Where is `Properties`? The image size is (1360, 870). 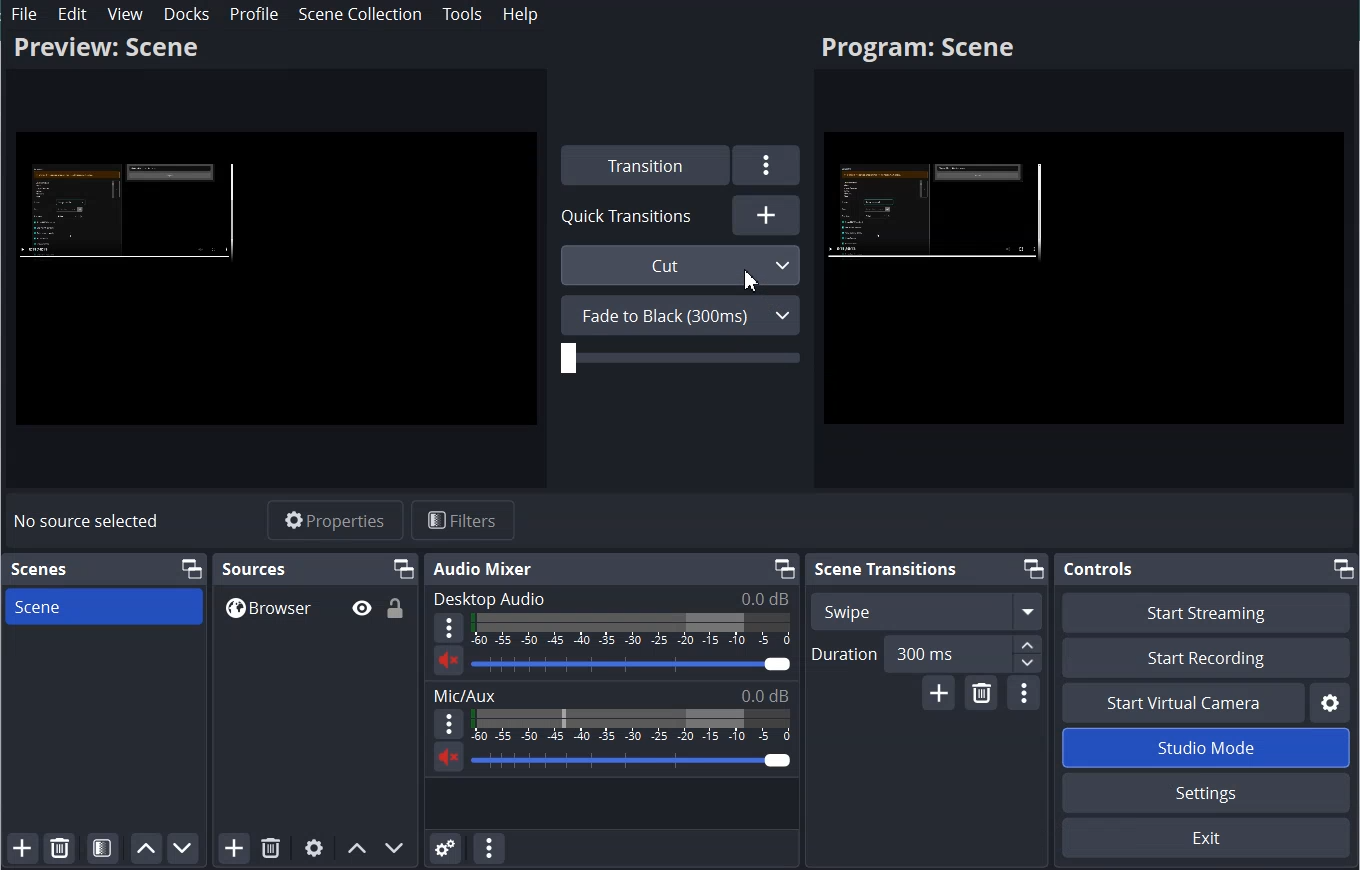
Properties is located at coordinates (335, 520).